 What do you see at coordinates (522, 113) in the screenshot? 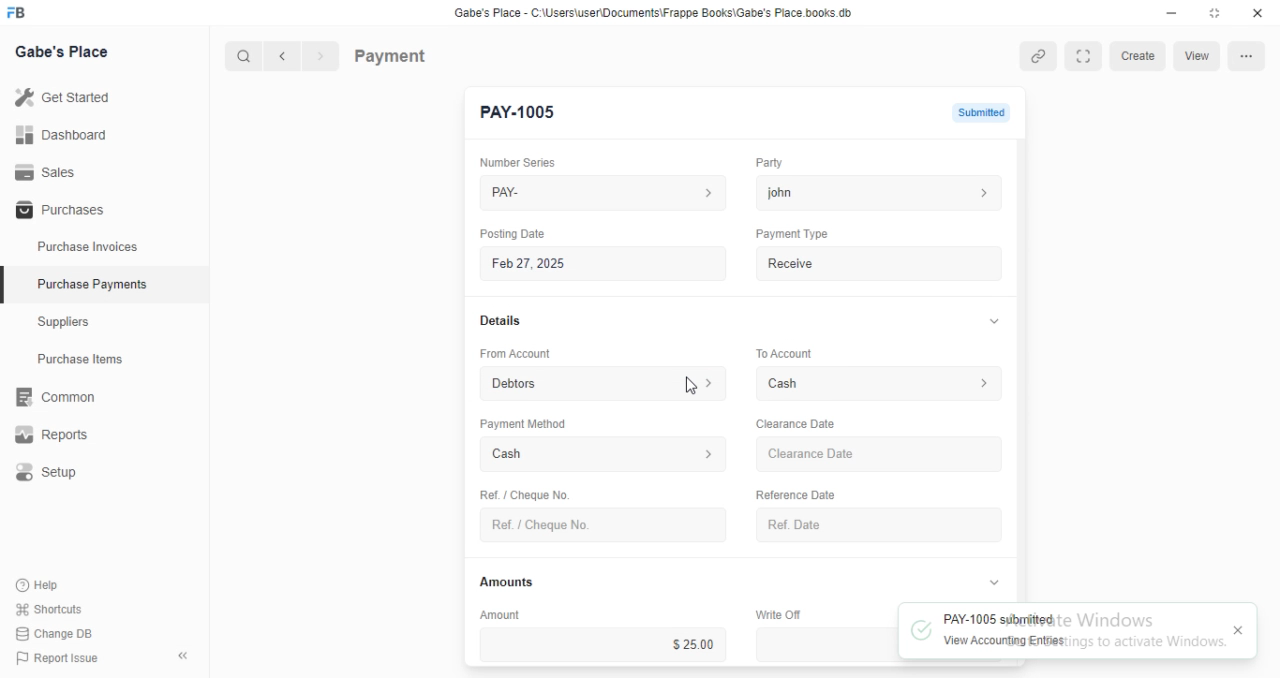
I see `New Entry` at bounding box center [522, 113].